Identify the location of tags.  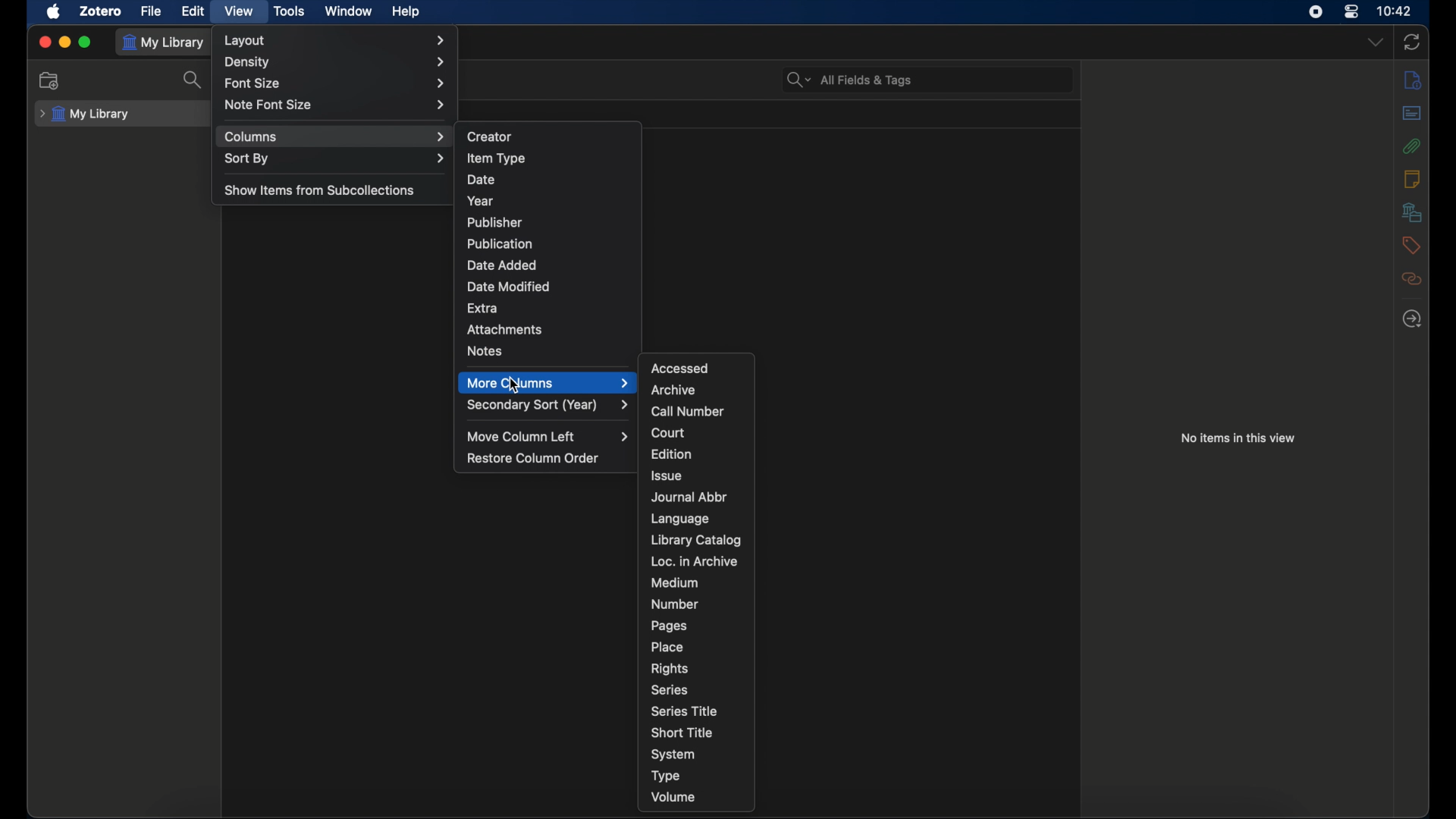
(1411, 245).